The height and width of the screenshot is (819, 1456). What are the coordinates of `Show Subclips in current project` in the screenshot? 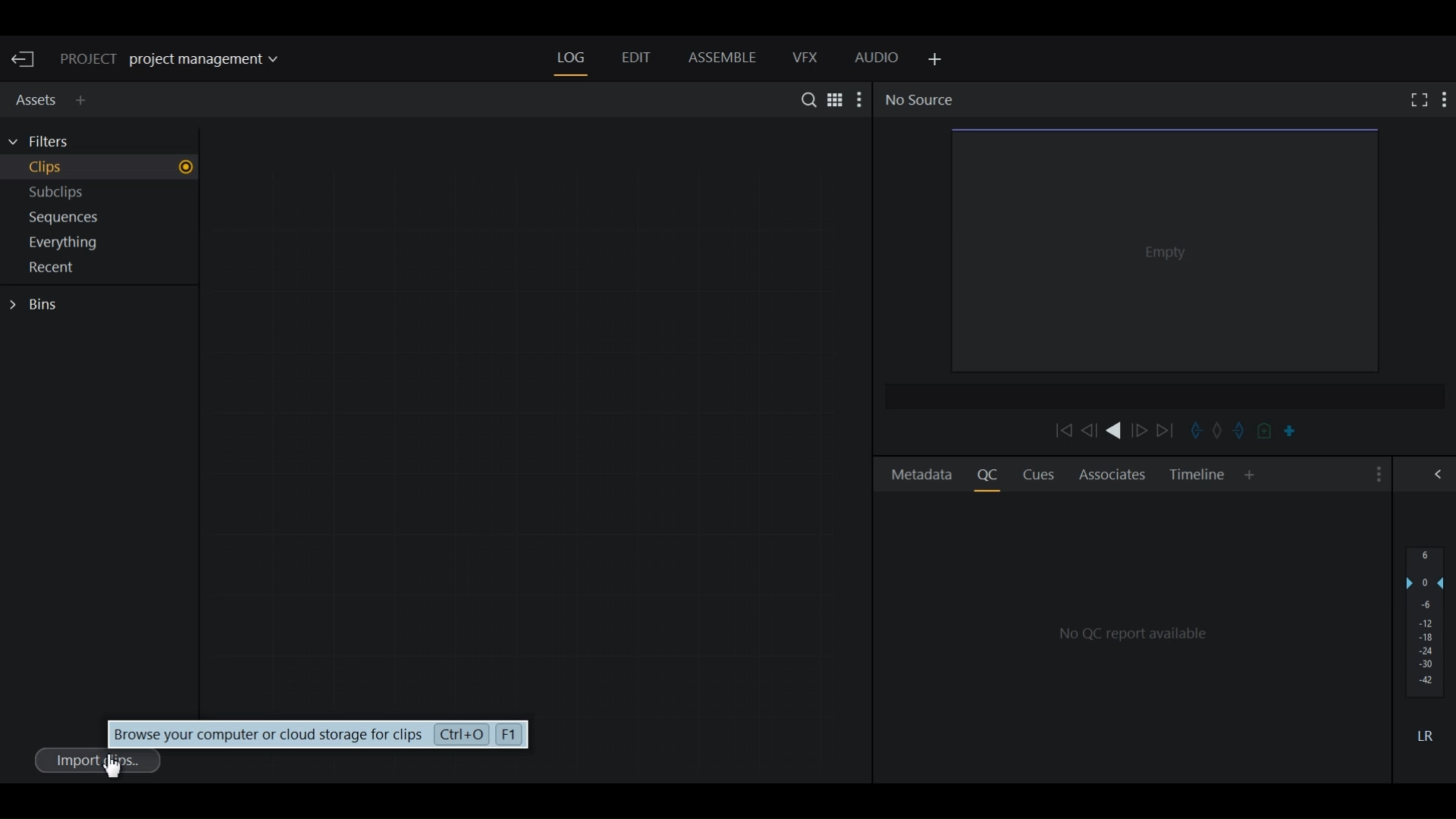 It's located at (103, 195).